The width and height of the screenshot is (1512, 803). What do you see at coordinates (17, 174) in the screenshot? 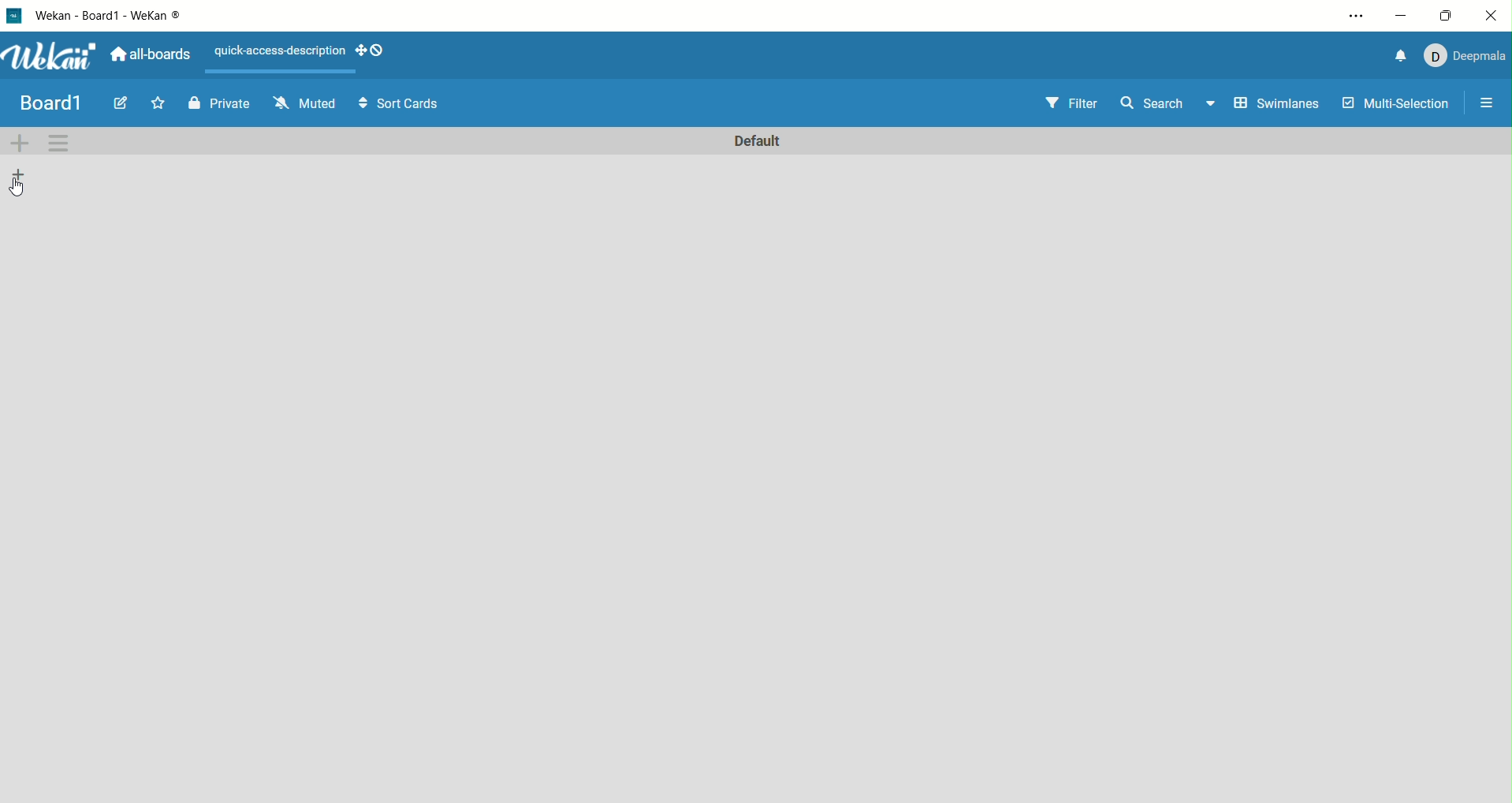
I see `add list` at bounding box center [17, 174].